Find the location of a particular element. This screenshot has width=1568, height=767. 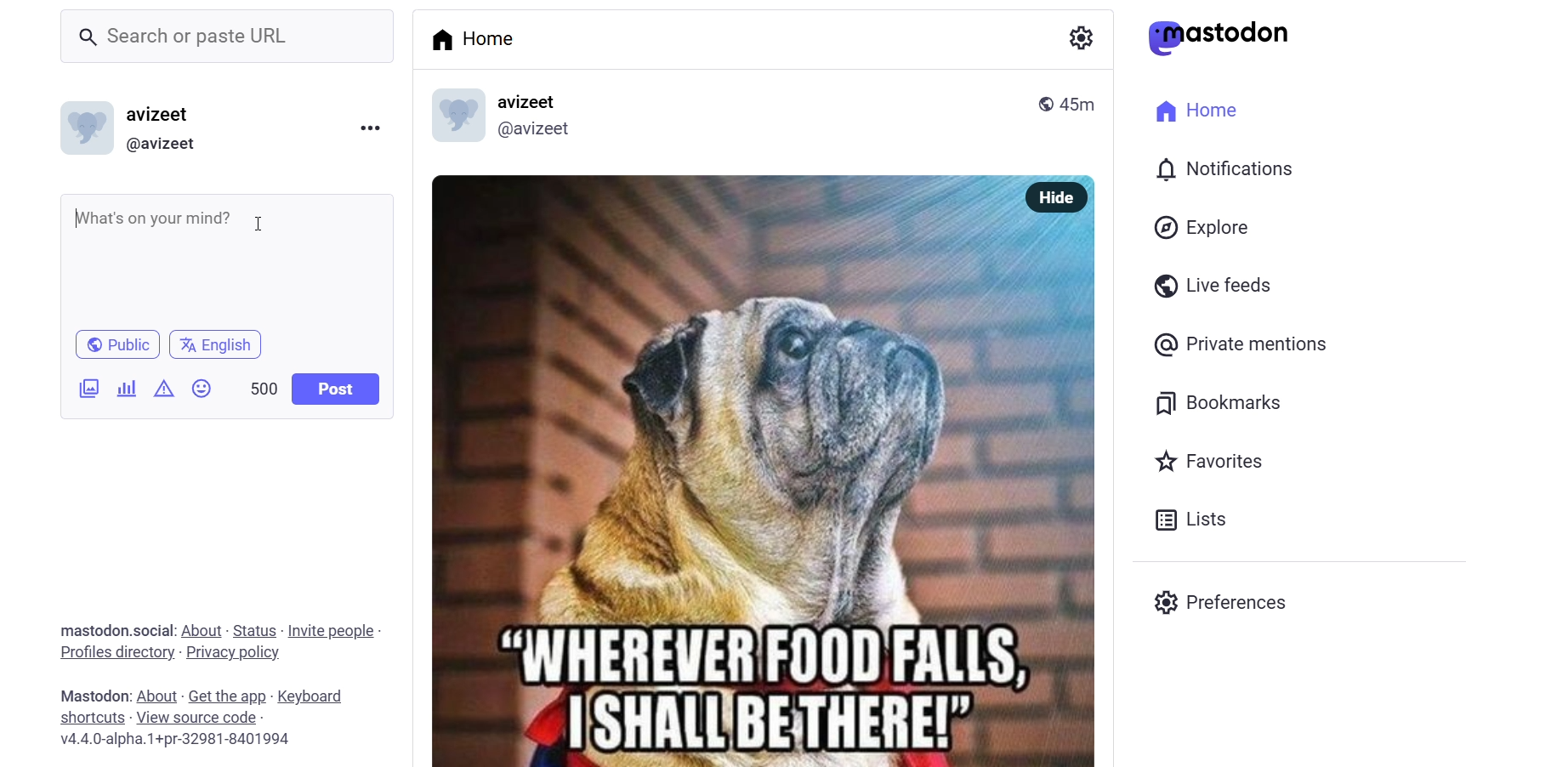

logo is located at coordinates (454, 118).